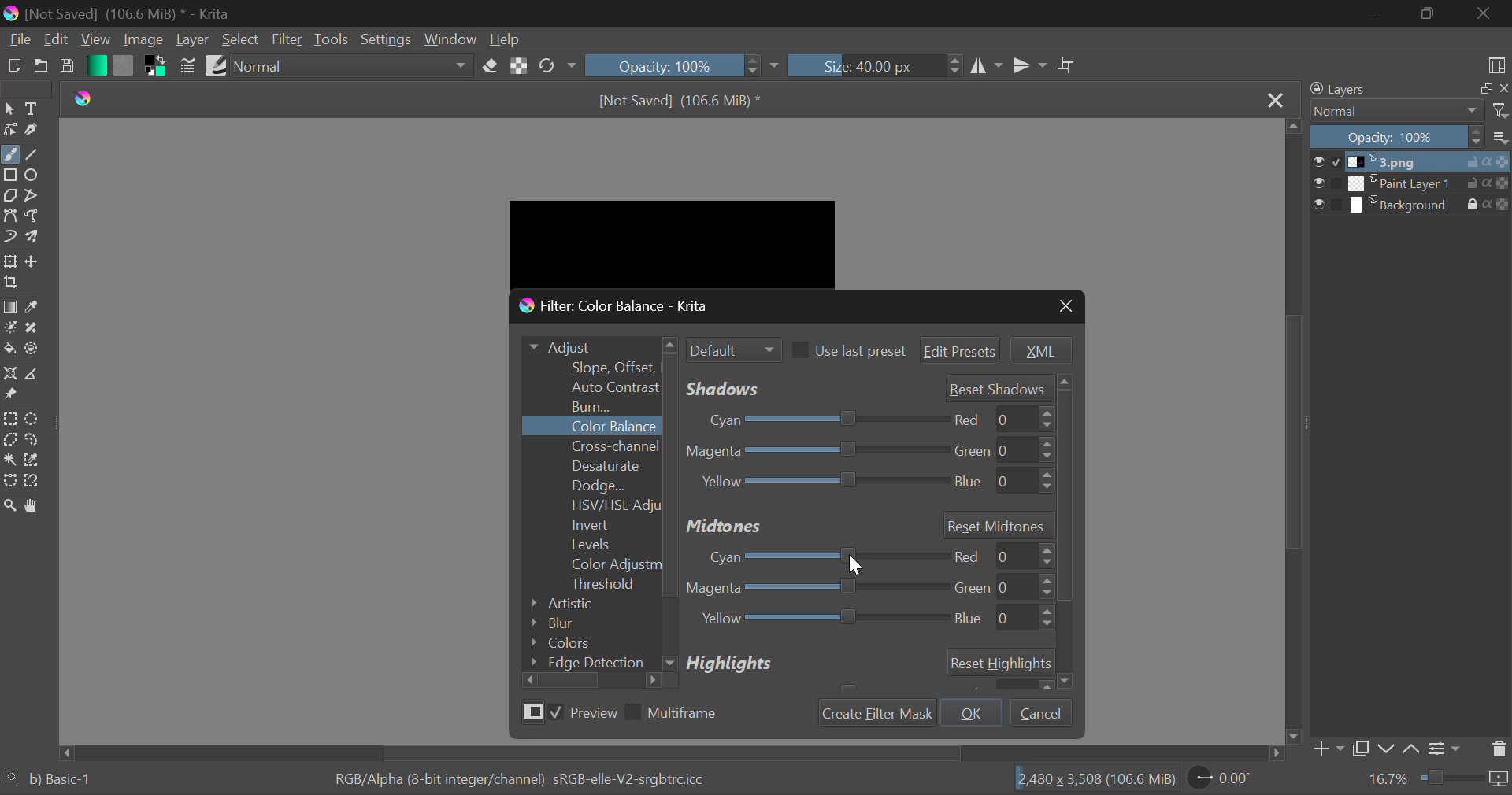 The height and width of the screenshot is (795, 1512). I want to click on Settings, so click(387, 39).